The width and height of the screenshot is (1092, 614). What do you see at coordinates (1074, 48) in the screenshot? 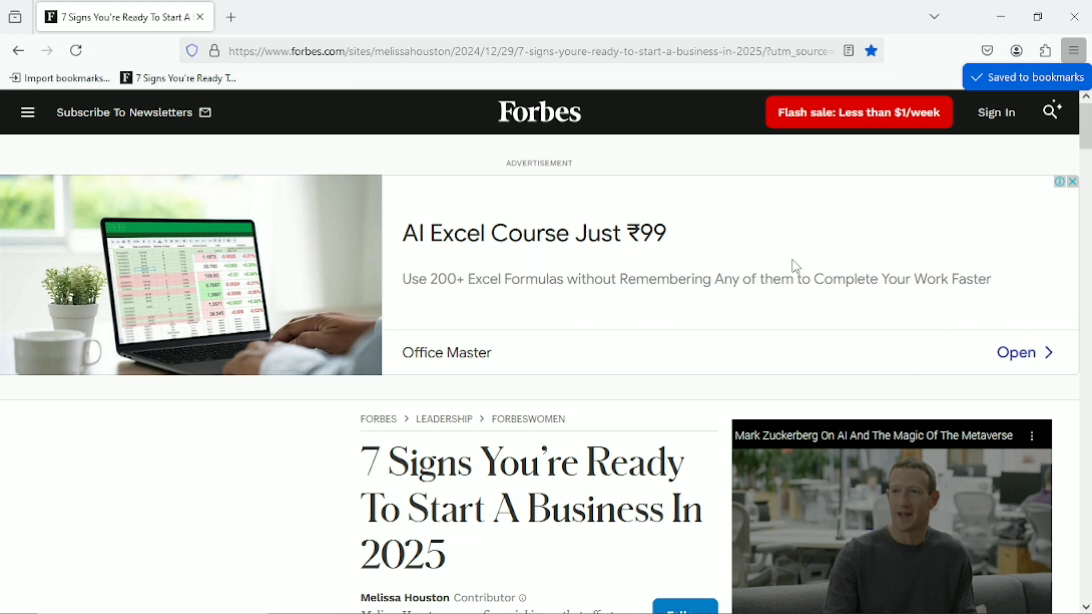
I see `open application menu` at bounding box center [1074, 48].